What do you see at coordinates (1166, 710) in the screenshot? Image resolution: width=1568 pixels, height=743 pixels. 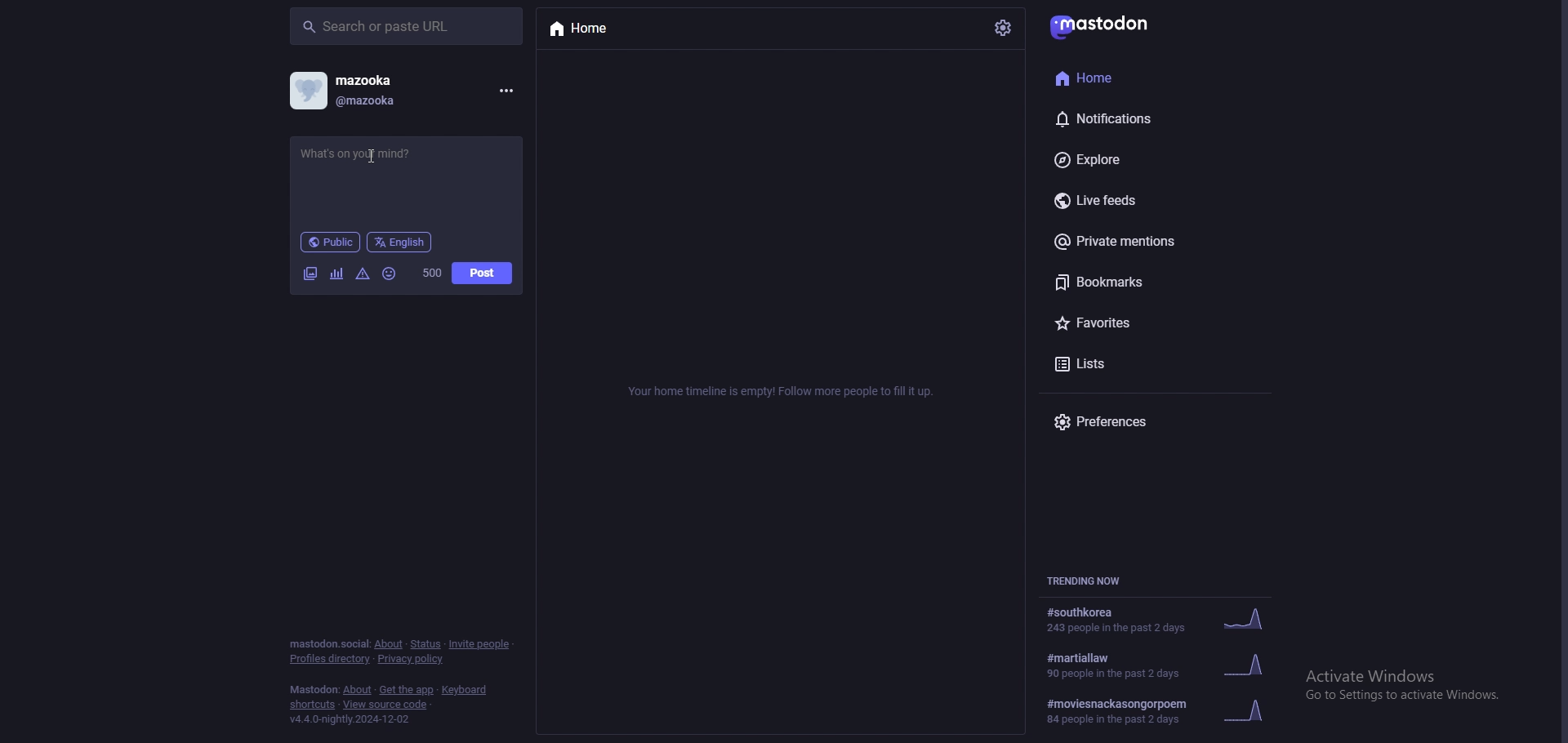 I see `trending` at bounding box center [1166, 710].